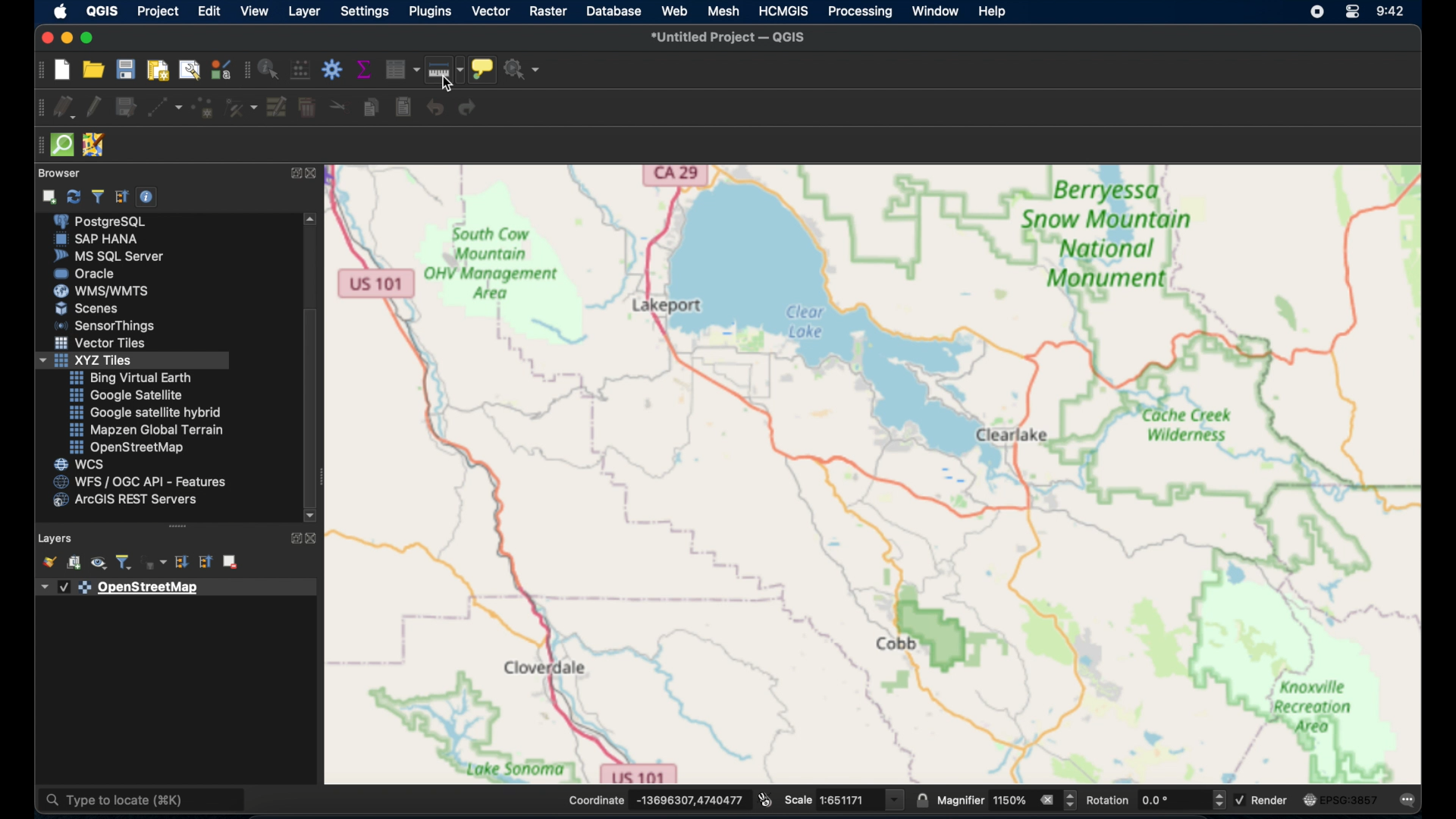 The image size is (1456, 819). I want to click on close, so click(45, 36).